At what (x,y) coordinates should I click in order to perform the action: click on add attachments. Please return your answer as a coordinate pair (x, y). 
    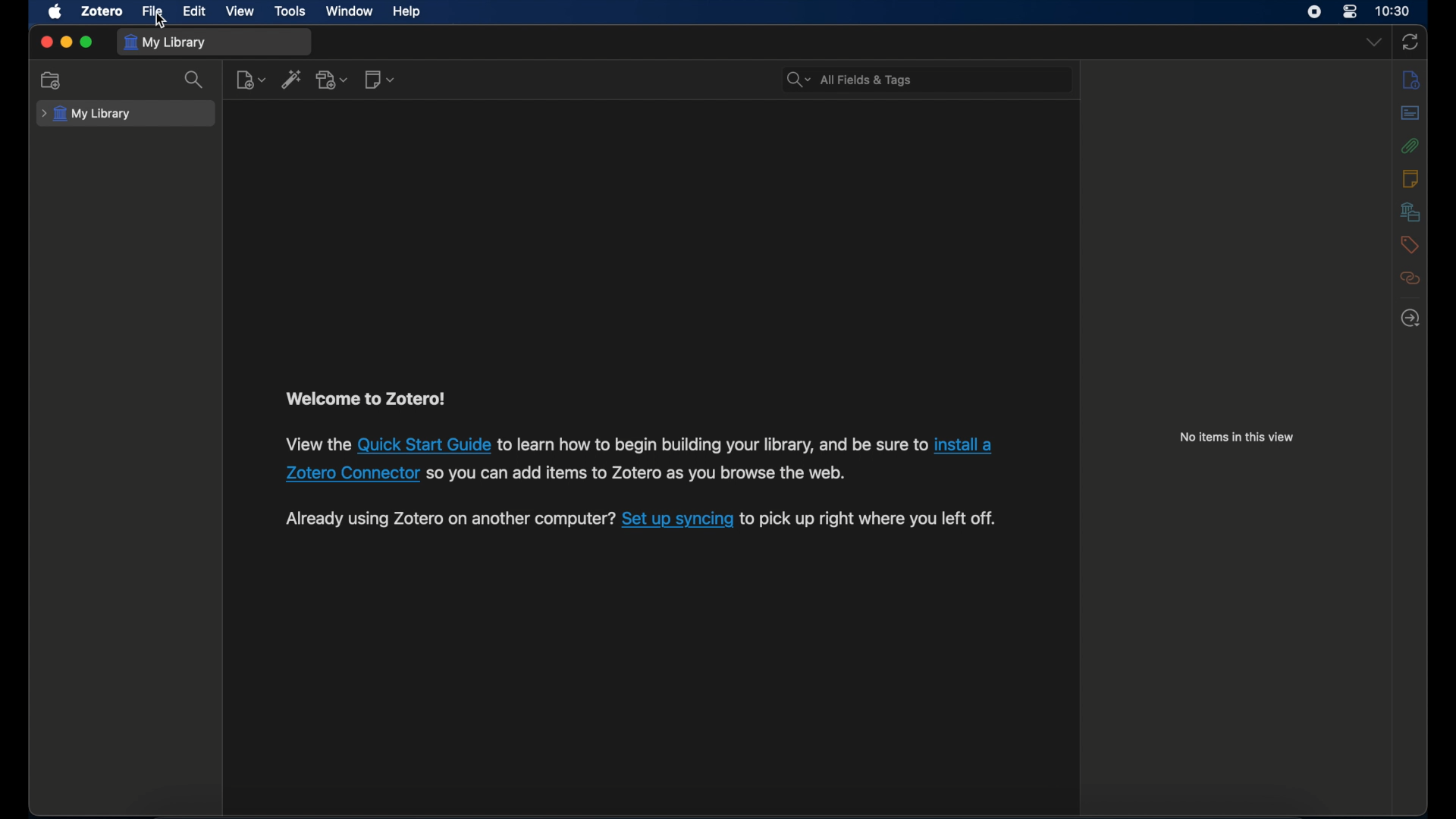
    Looking at the image, I should click on (332, 80).